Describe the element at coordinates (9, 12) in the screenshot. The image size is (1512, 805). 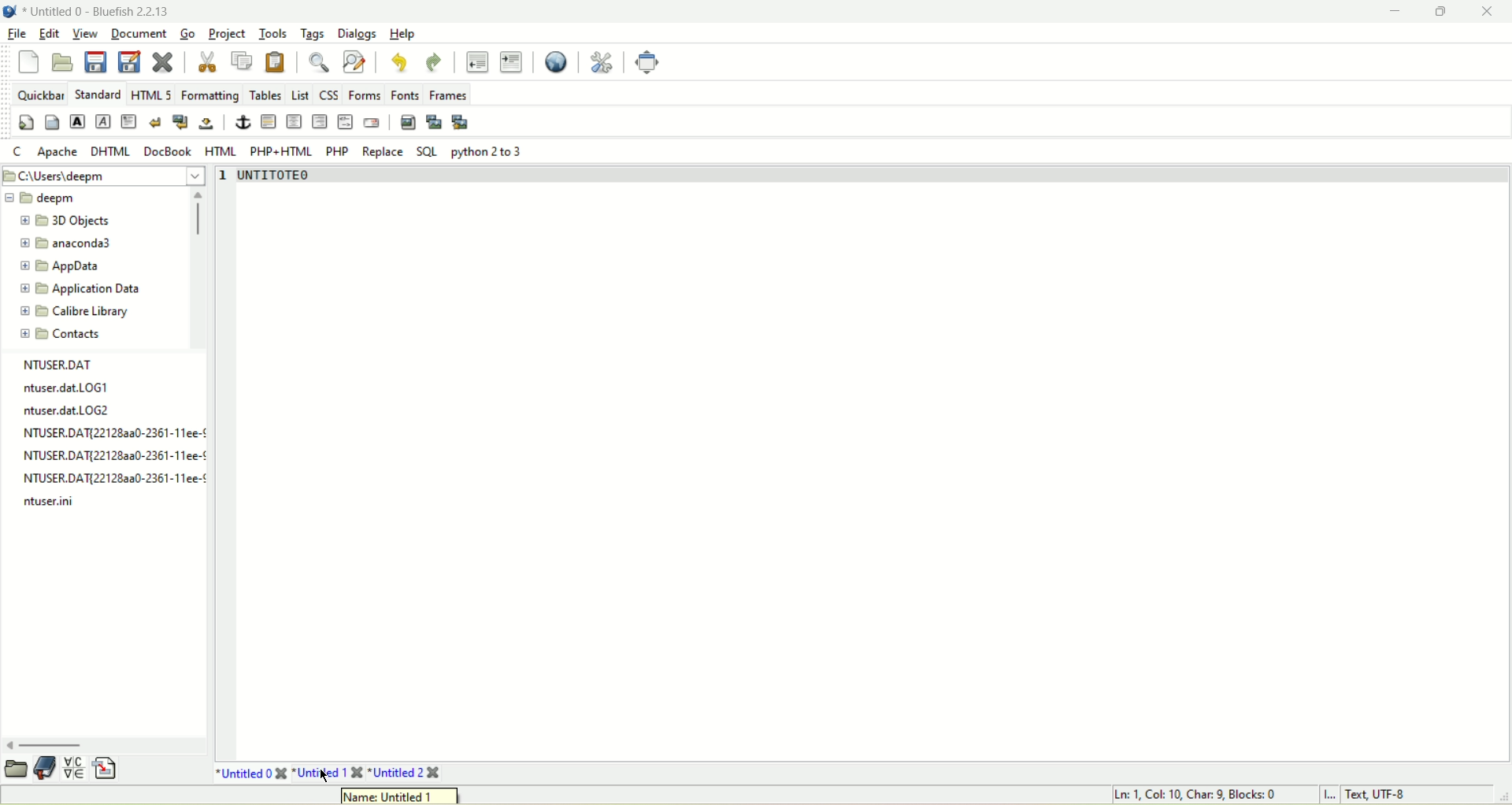
I see `bluefish logo` at that location.